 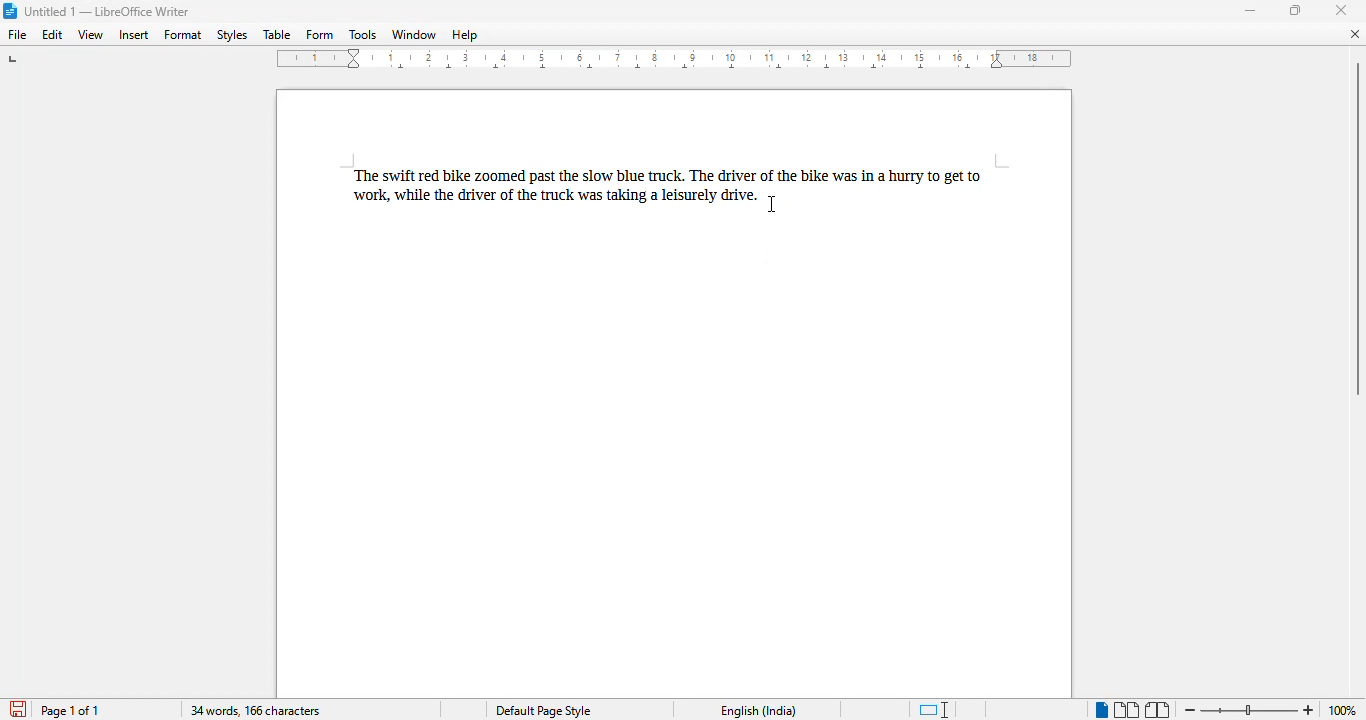 I want to click on ruler, so click(x=675, y=59).